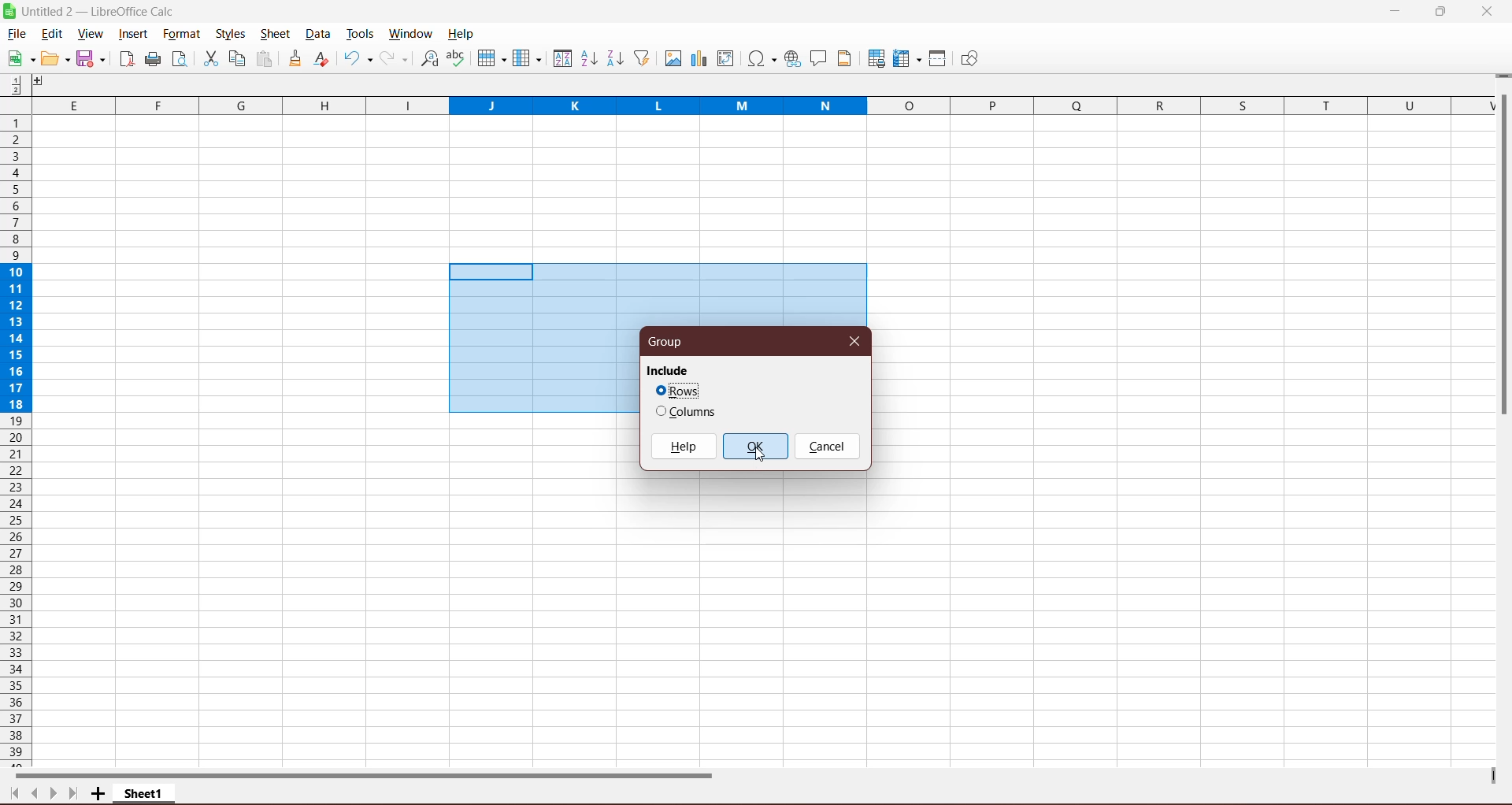  I want to click on Save, so click(93, 60).